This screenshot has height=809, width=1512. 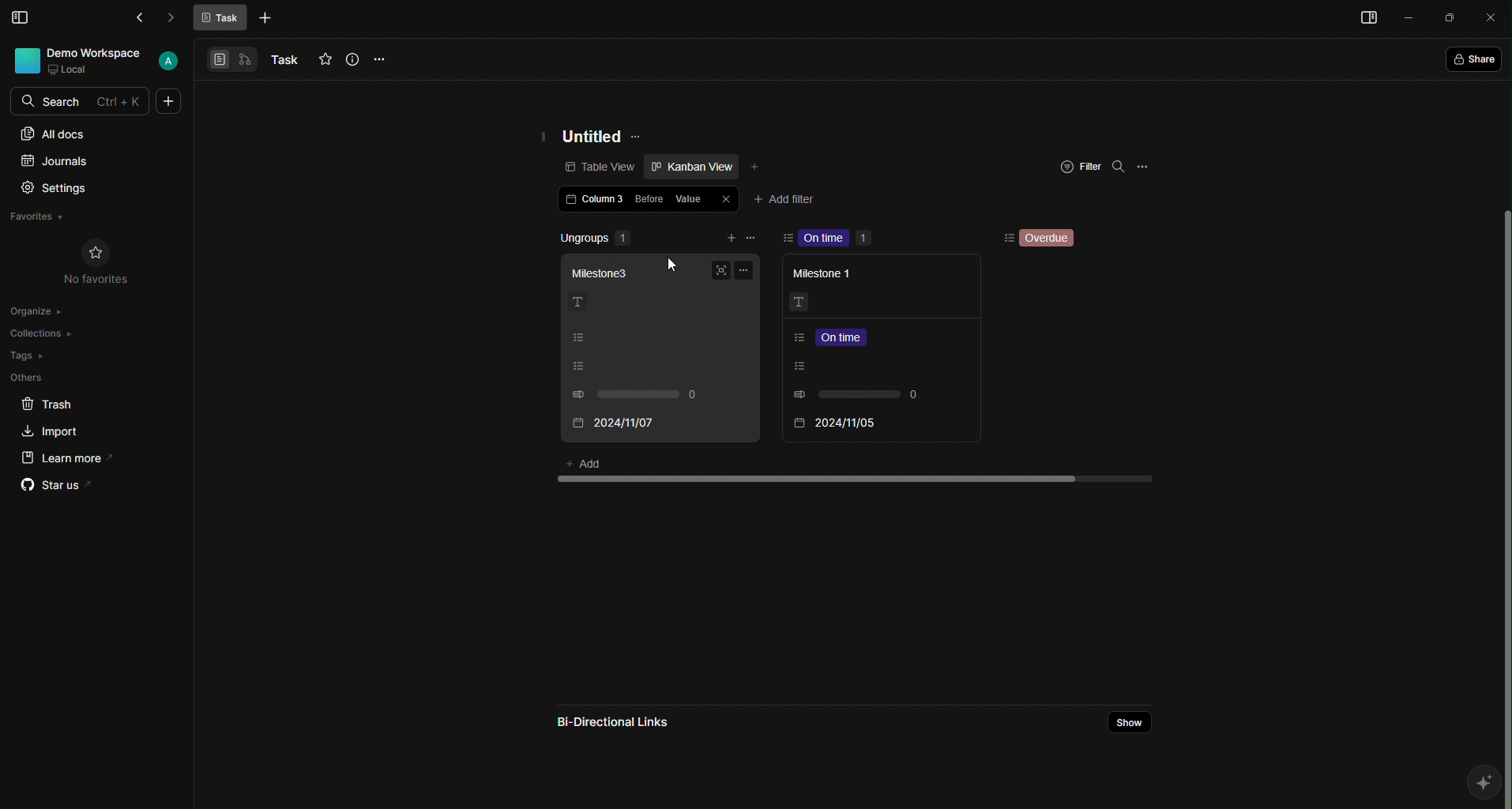 What do you see at coordinates (851, 366) in the screenshot?
I see `Listing` at bounding box center [851, 366].